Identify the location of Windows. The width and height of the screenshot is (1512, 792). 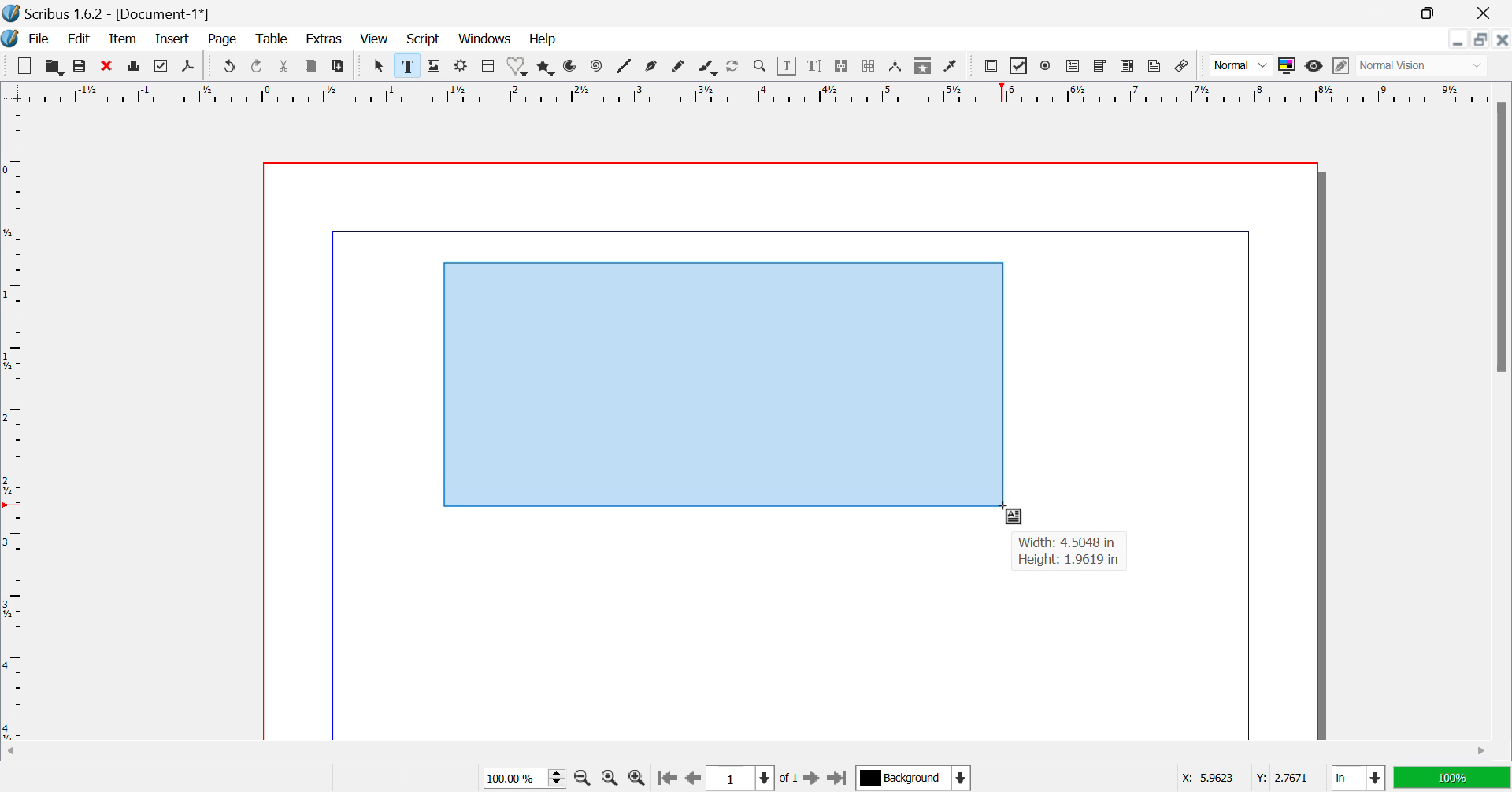
(485, 39).